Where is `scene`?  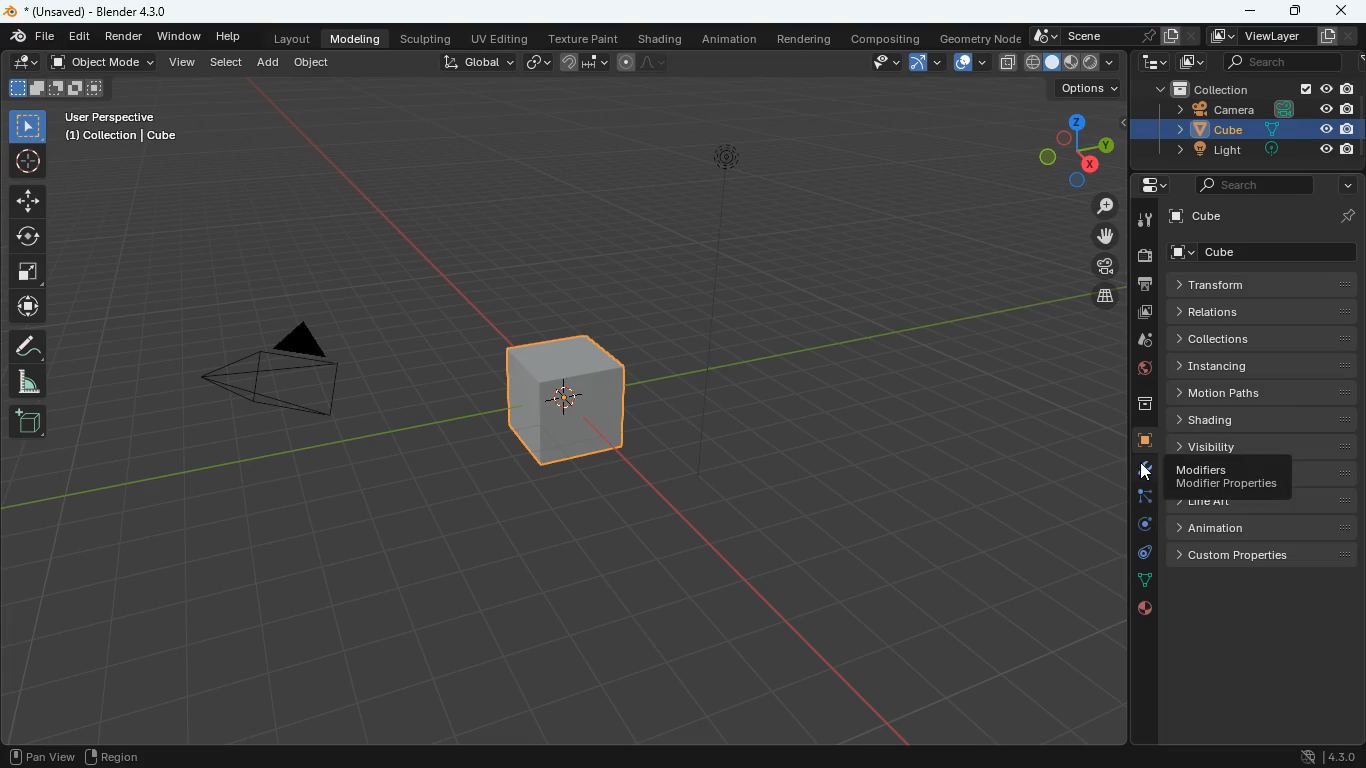 scene is located at coordinates (1115, 36).